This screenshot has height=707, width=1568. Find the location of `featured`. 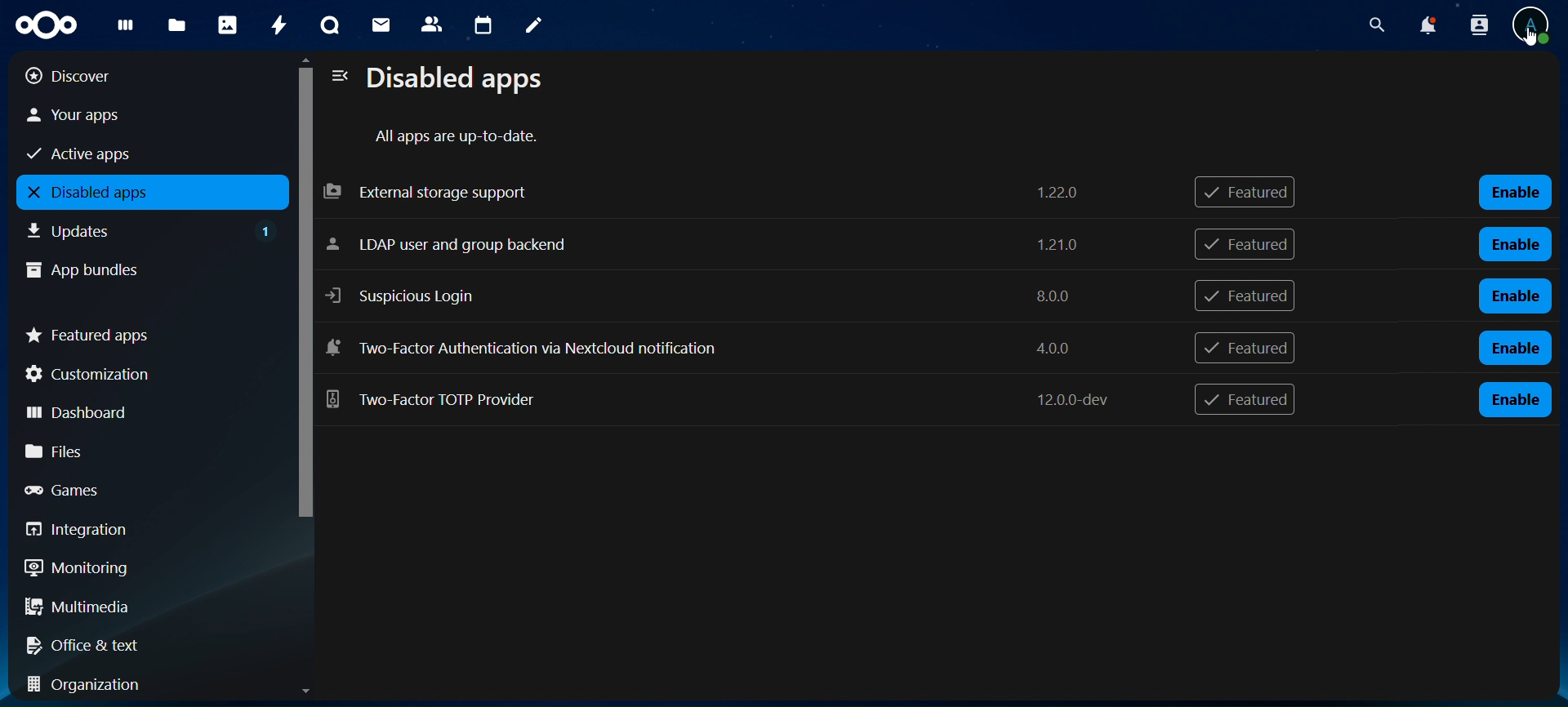

featured is located at coordinates (1244, 401).